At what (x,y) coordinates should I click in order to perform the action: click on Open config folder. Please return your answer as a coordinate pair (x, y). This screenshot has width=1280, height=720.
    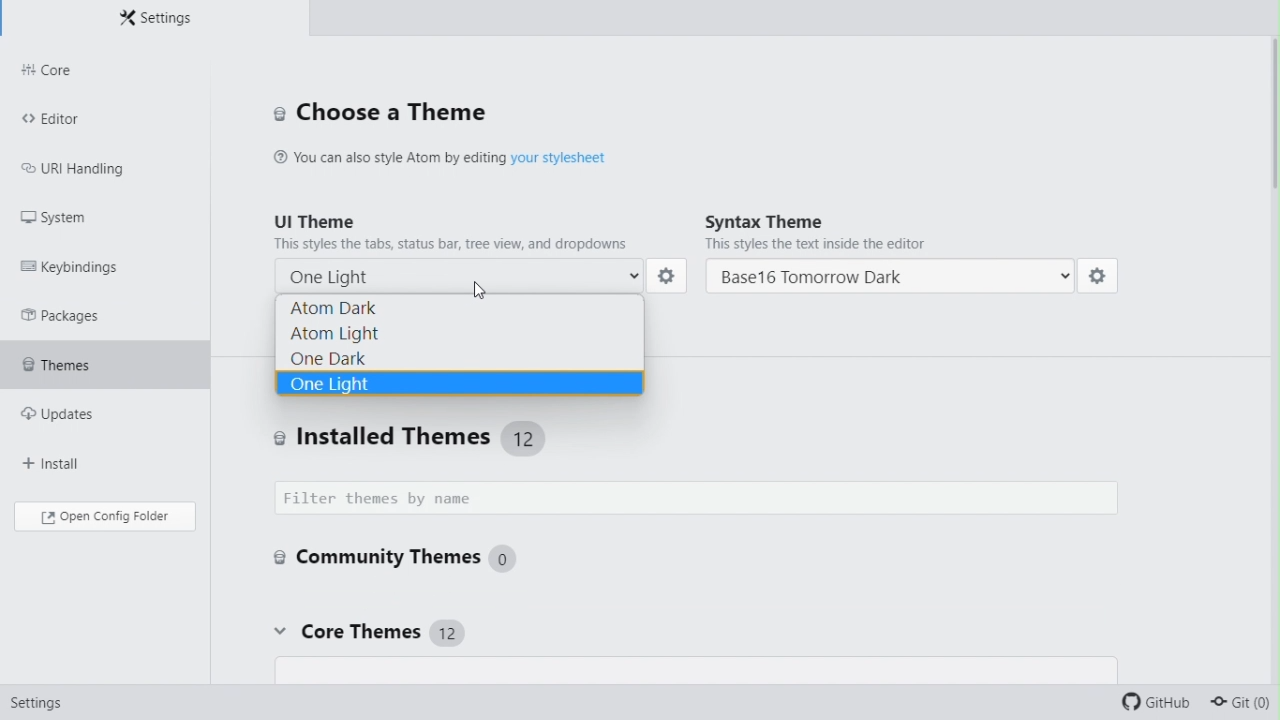
    Looking at the image, I should click on (103, 516).